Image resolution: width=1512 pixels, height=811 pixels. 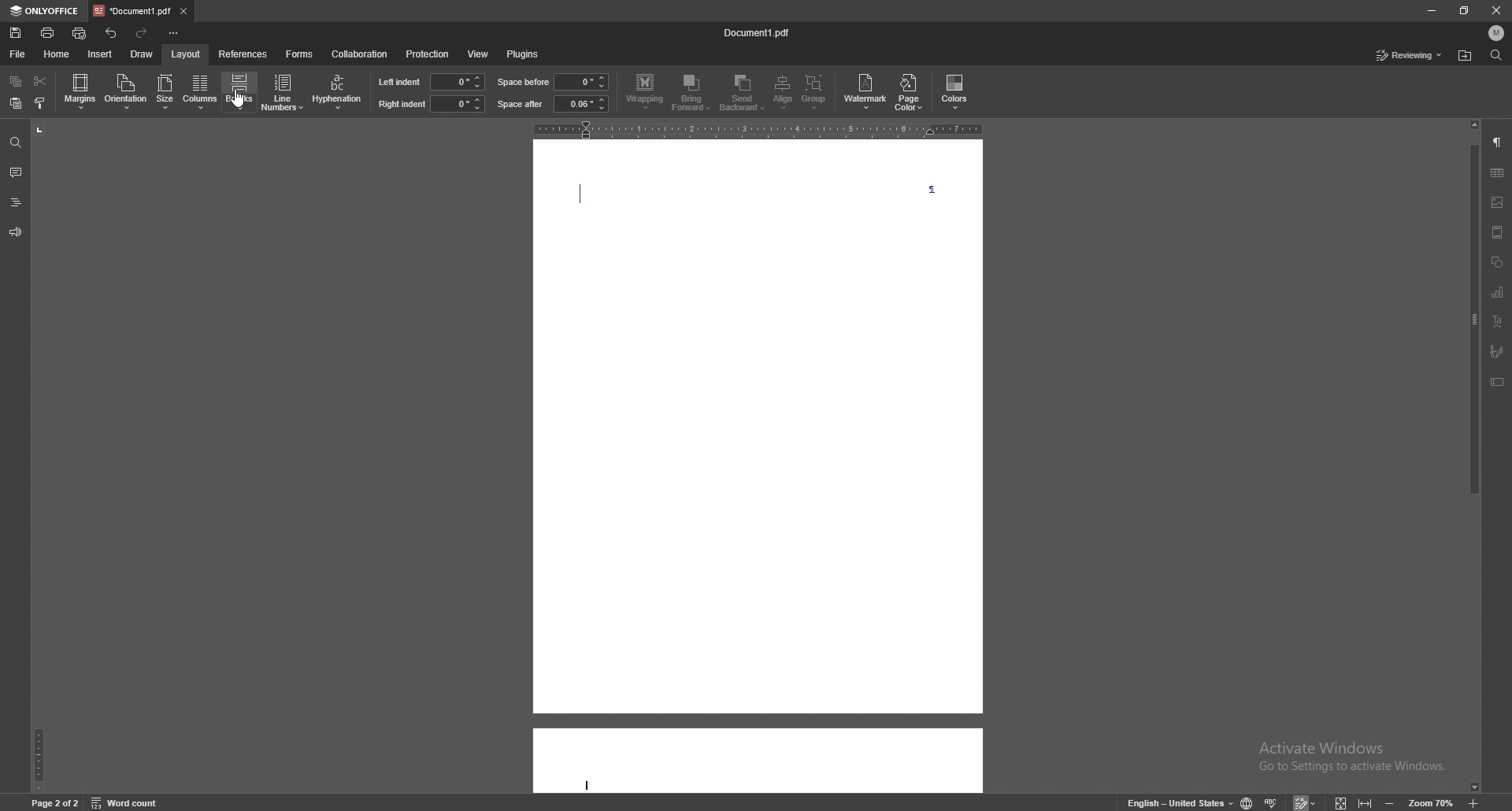 I want to click on locate file, so click(x=1466, y=56).